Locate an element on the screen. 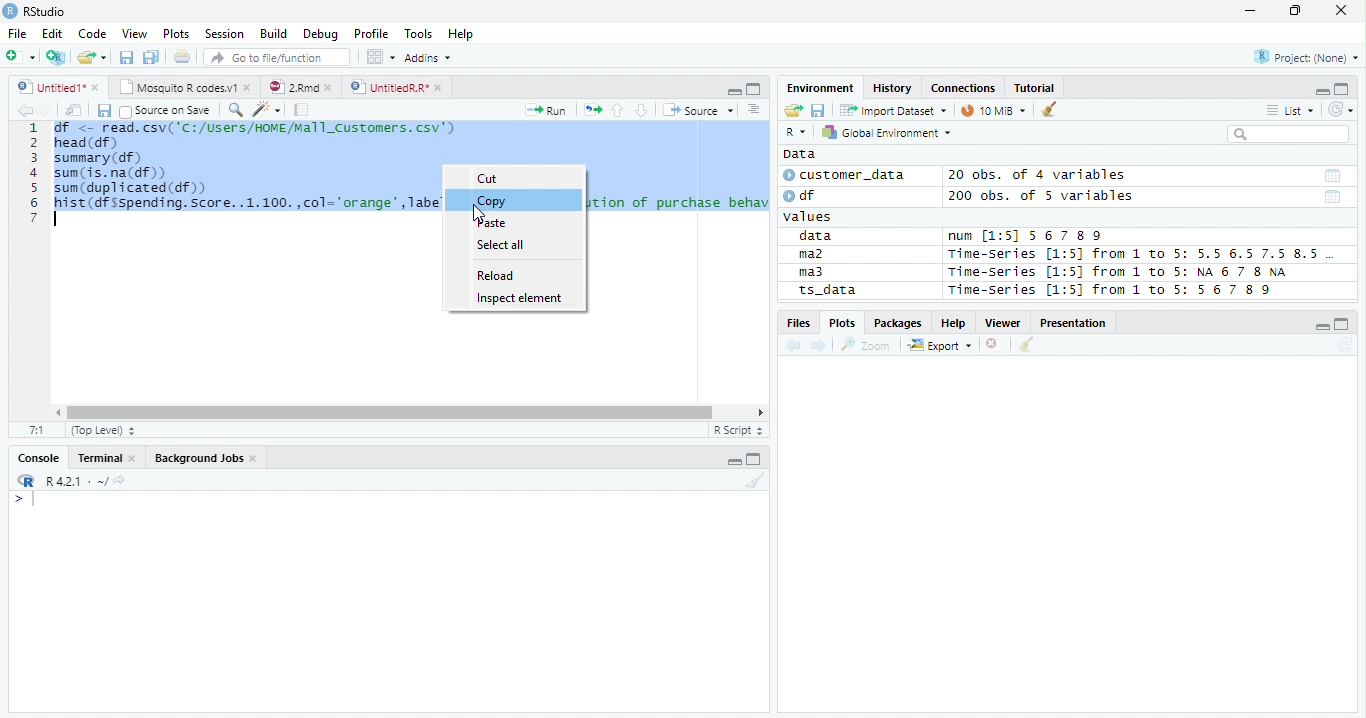 The width and height of the screenshot is (1366, 718). Reload is located at coordinates (498, 275).